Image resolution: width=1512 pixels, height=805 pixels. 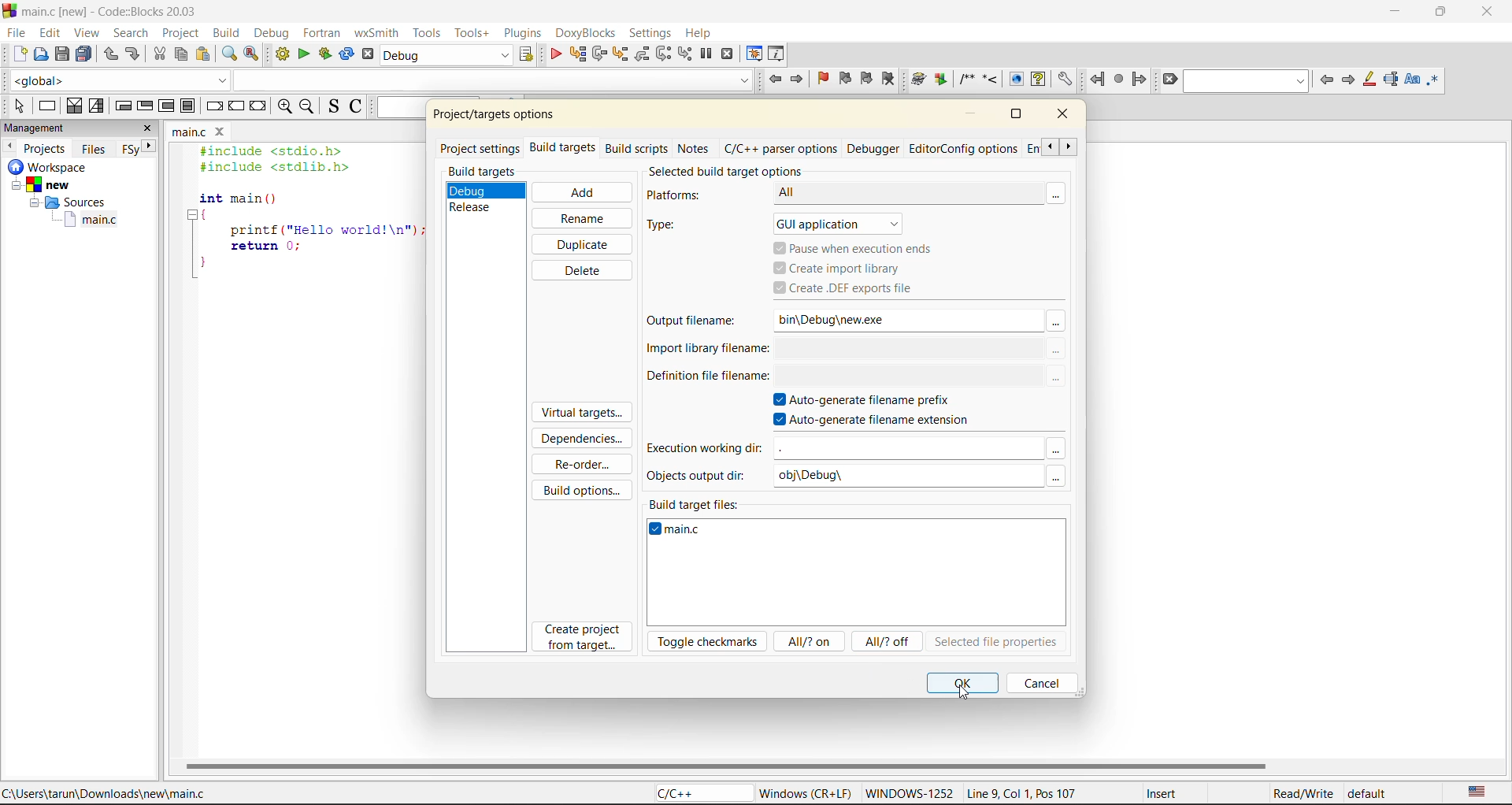 I want to click on new, so click(x=63, y=184).